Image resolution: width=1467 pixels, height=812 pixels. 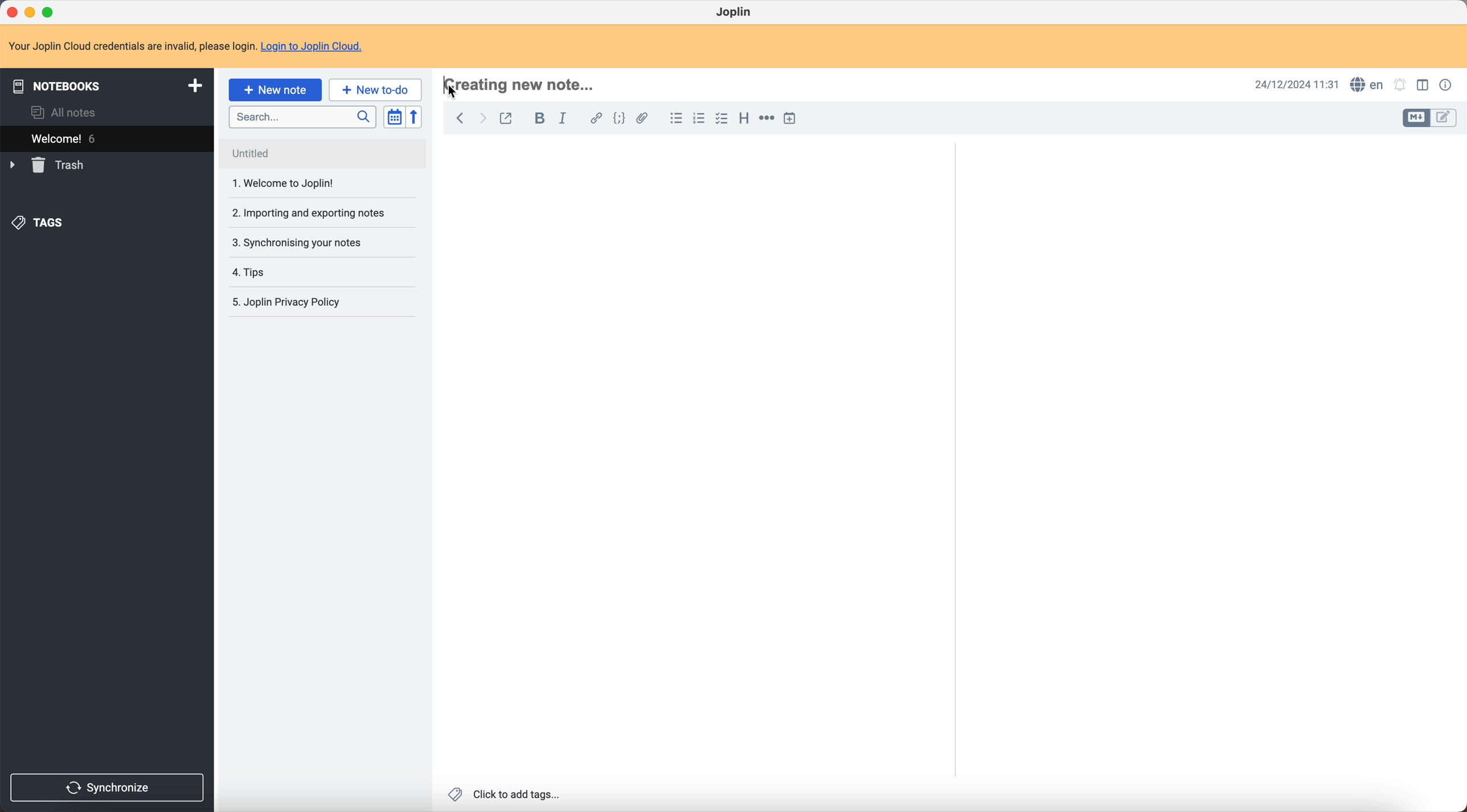 I want to click on maximize, so click(x=51, y=10).